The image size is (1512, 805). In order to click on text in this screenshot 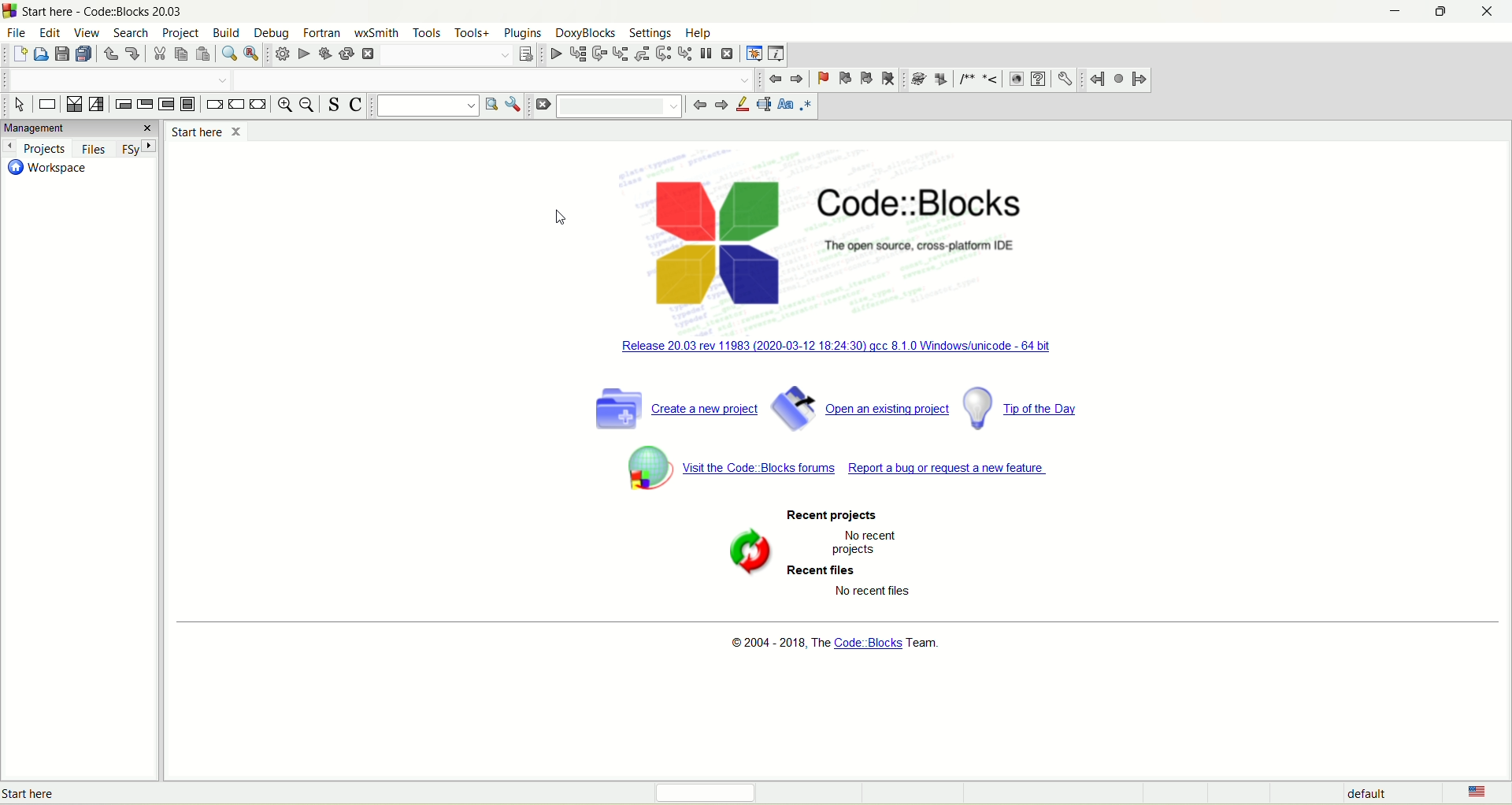, I will do `click(38, 794)`.